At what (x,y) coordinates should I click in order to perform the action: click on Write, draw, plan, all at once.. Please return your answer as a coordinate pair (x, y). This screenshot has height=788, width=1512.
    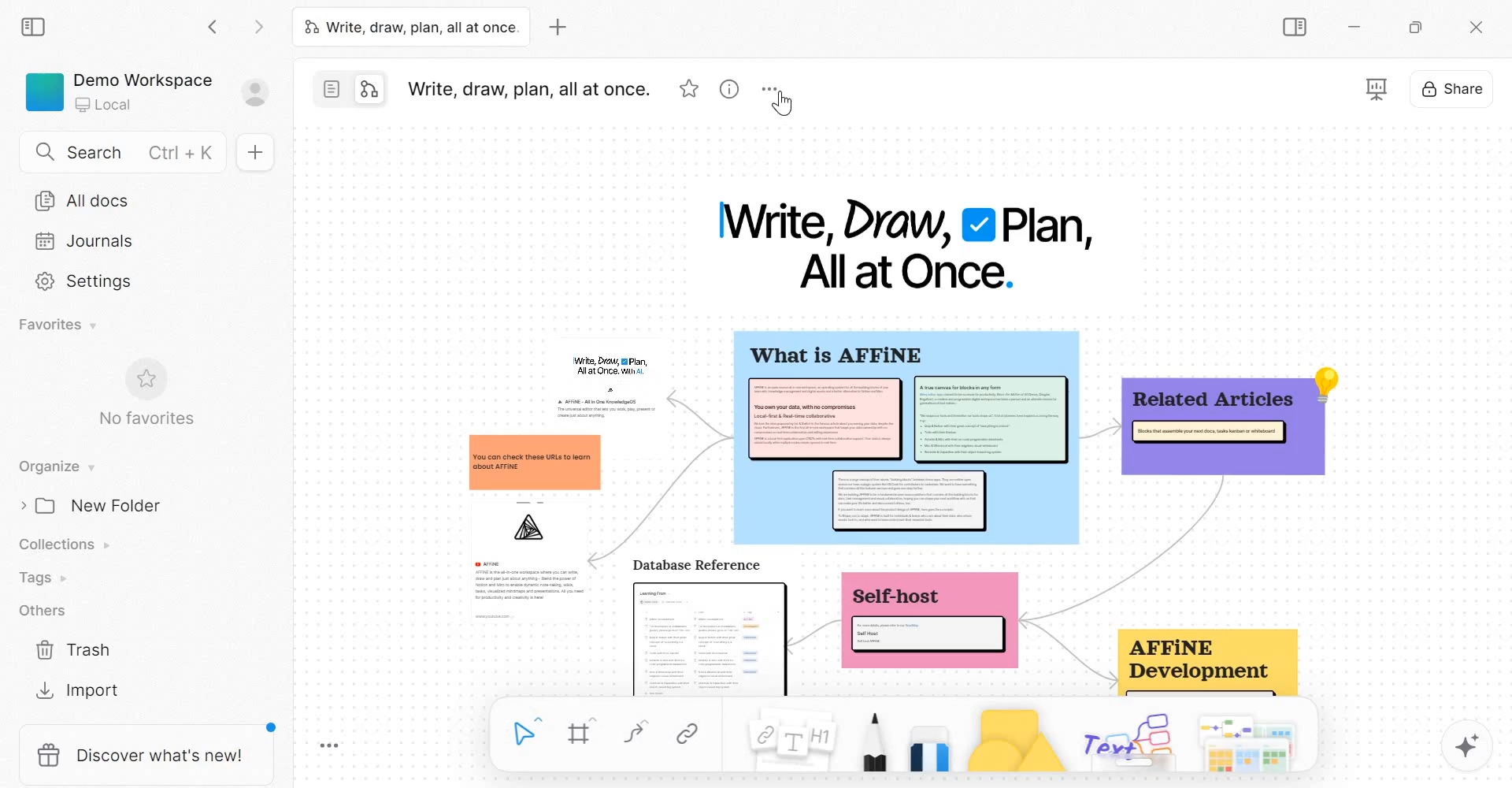
    Looking at the image, I should click on (532, 90).